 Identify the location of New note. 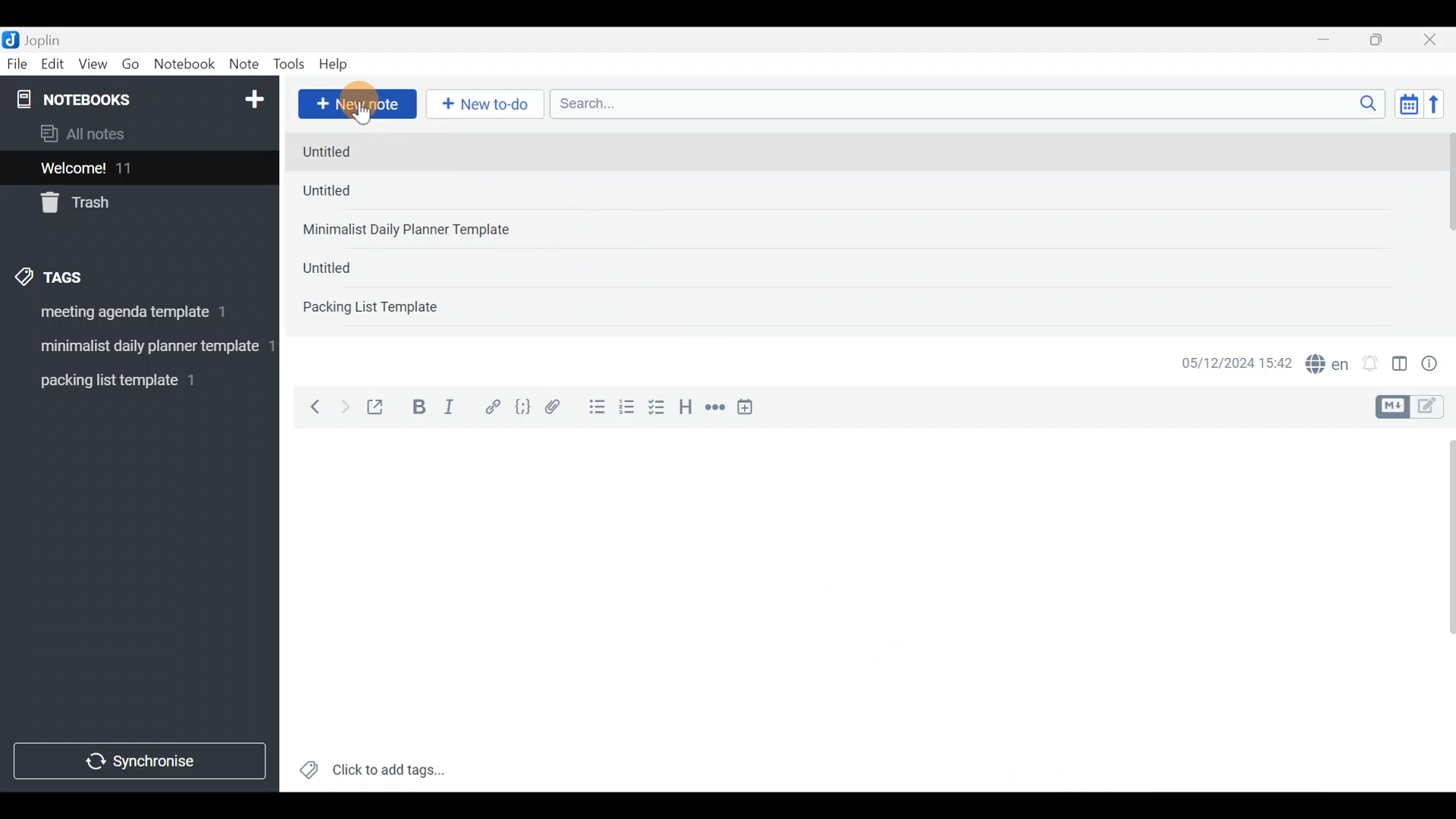
(356, 102).